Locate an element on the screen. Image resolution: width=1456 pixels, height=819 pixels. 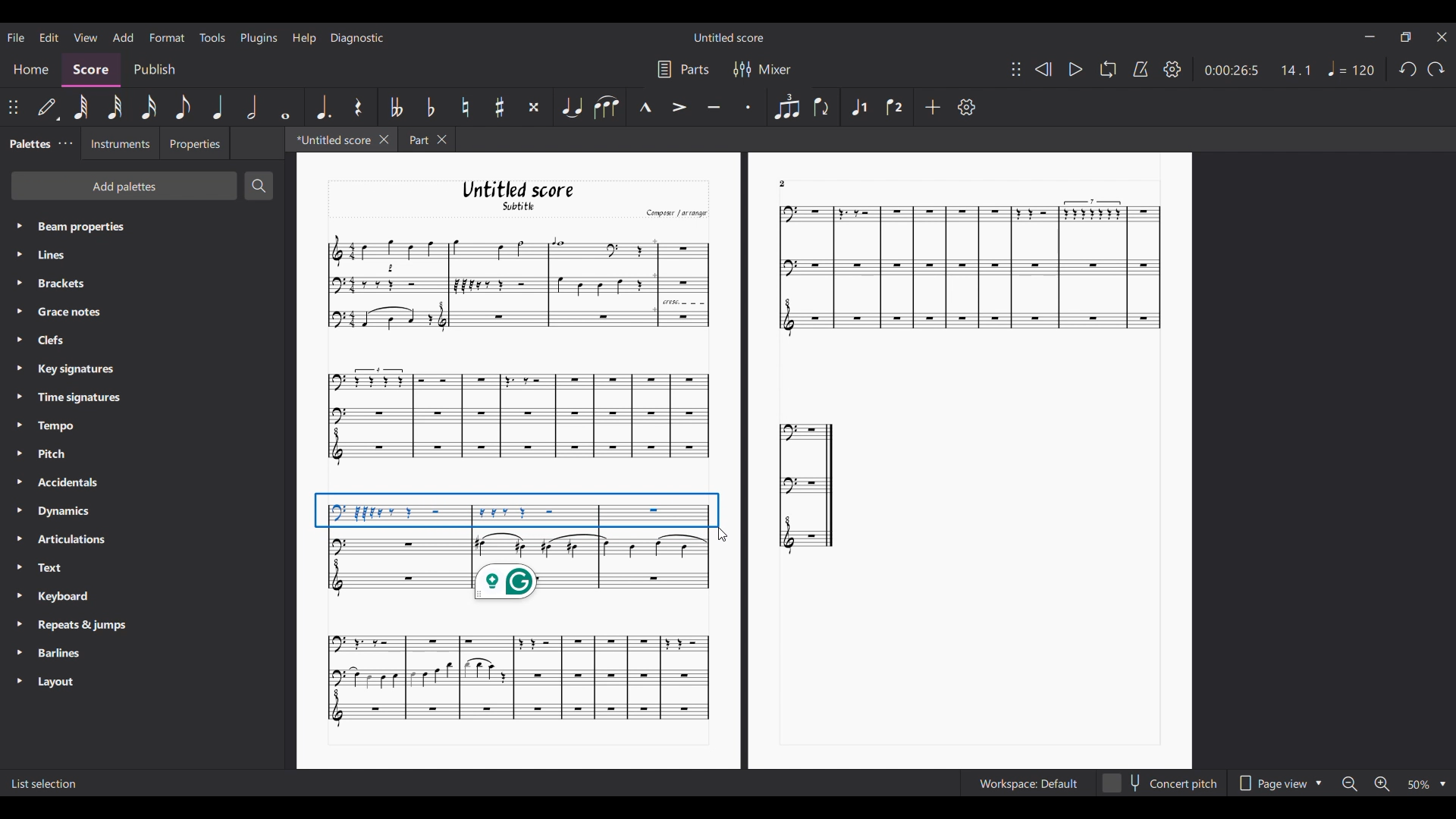
workspace Default is located at coordinates (1025, 784).